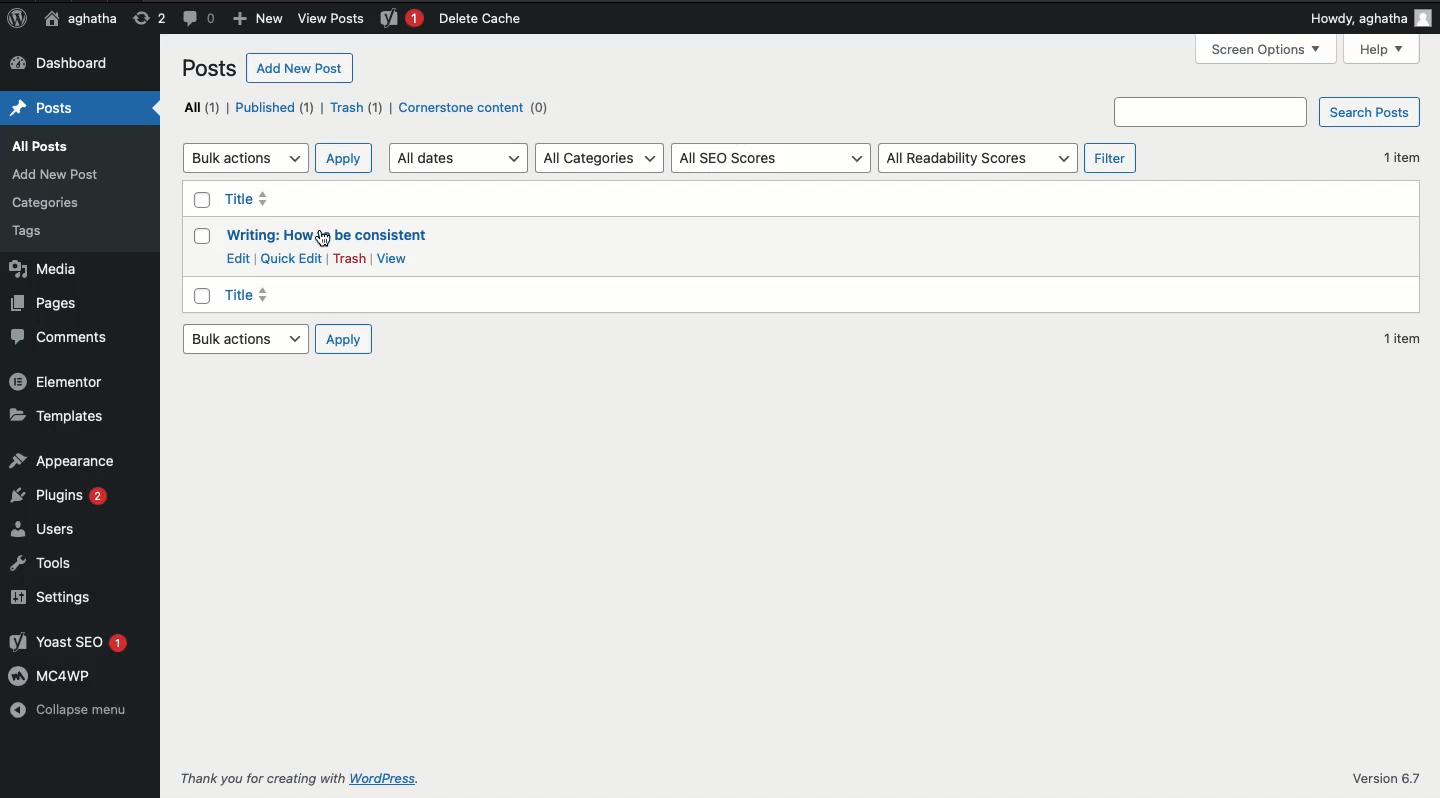 The height and width of the screenshot is (798, 1440). Describe the element at coordinates (1380, 49) in the screenshot. I see `Help` at that location.